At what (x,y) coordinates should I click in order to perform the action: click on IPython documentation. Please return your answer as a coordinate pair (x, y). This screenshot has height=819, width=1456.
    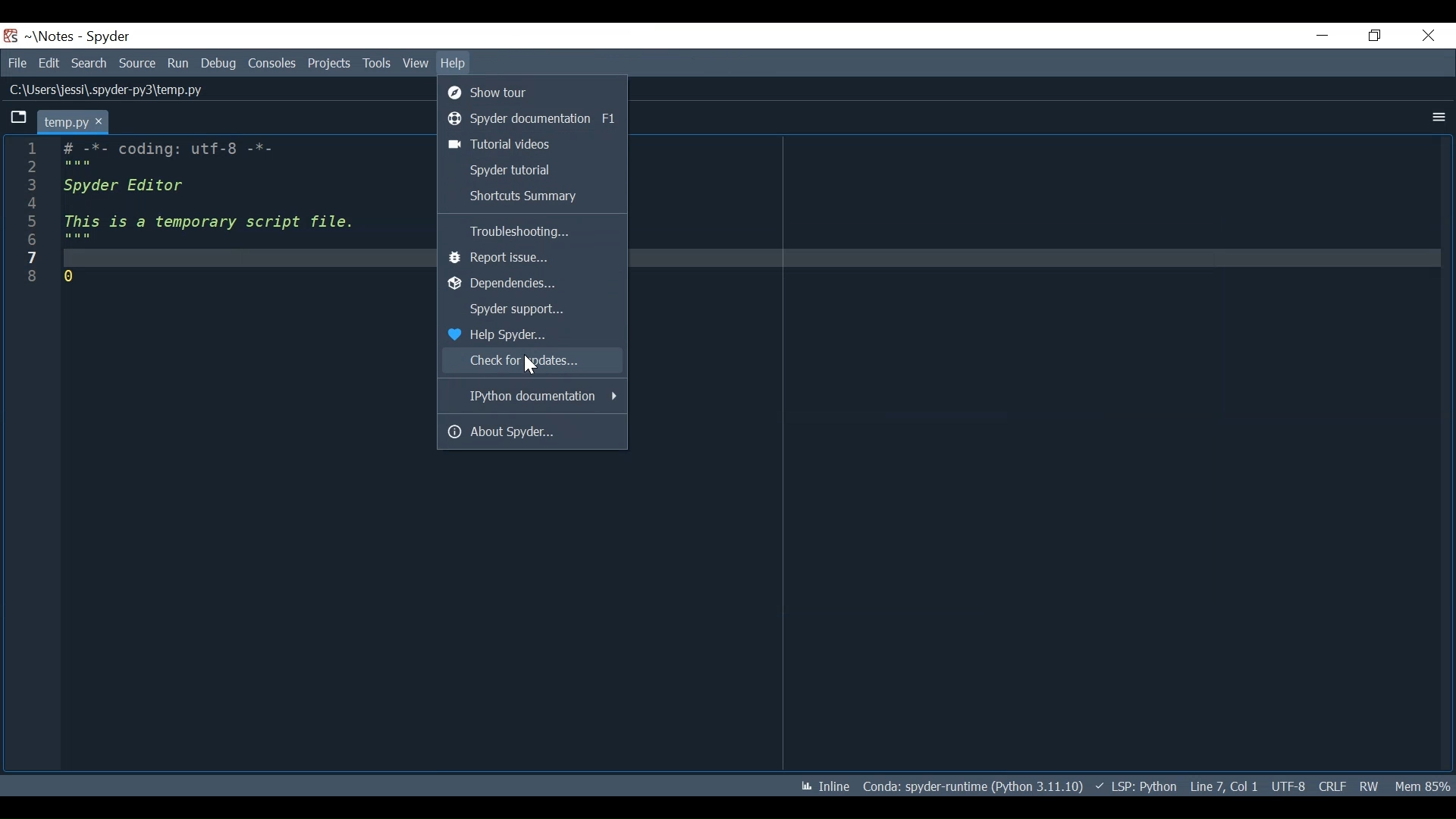
    Looking at the image, I should click on (534, 394).